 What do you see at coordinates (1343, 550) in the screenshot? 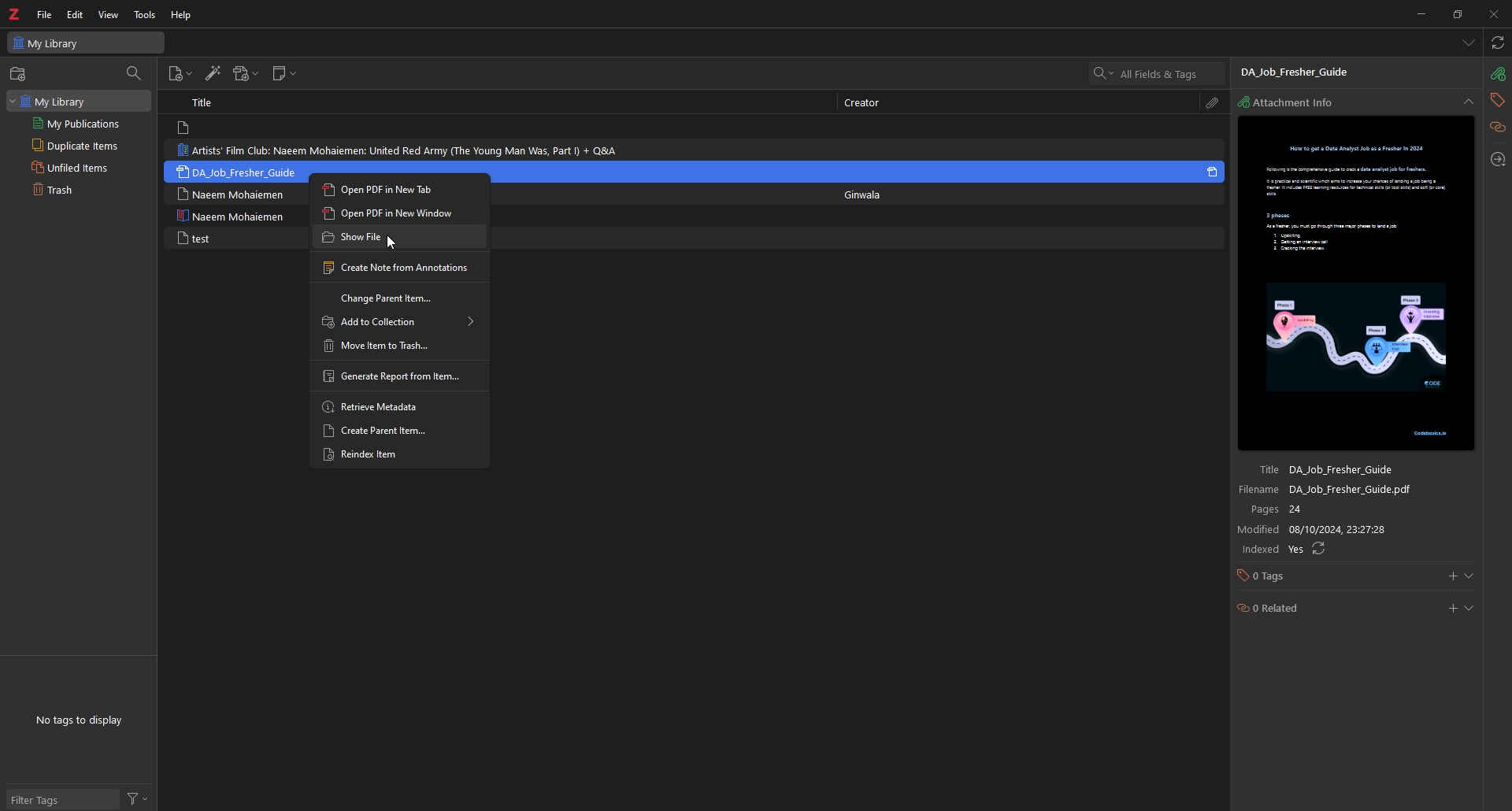
I see `indexed` at bounding box center [1343, 550].